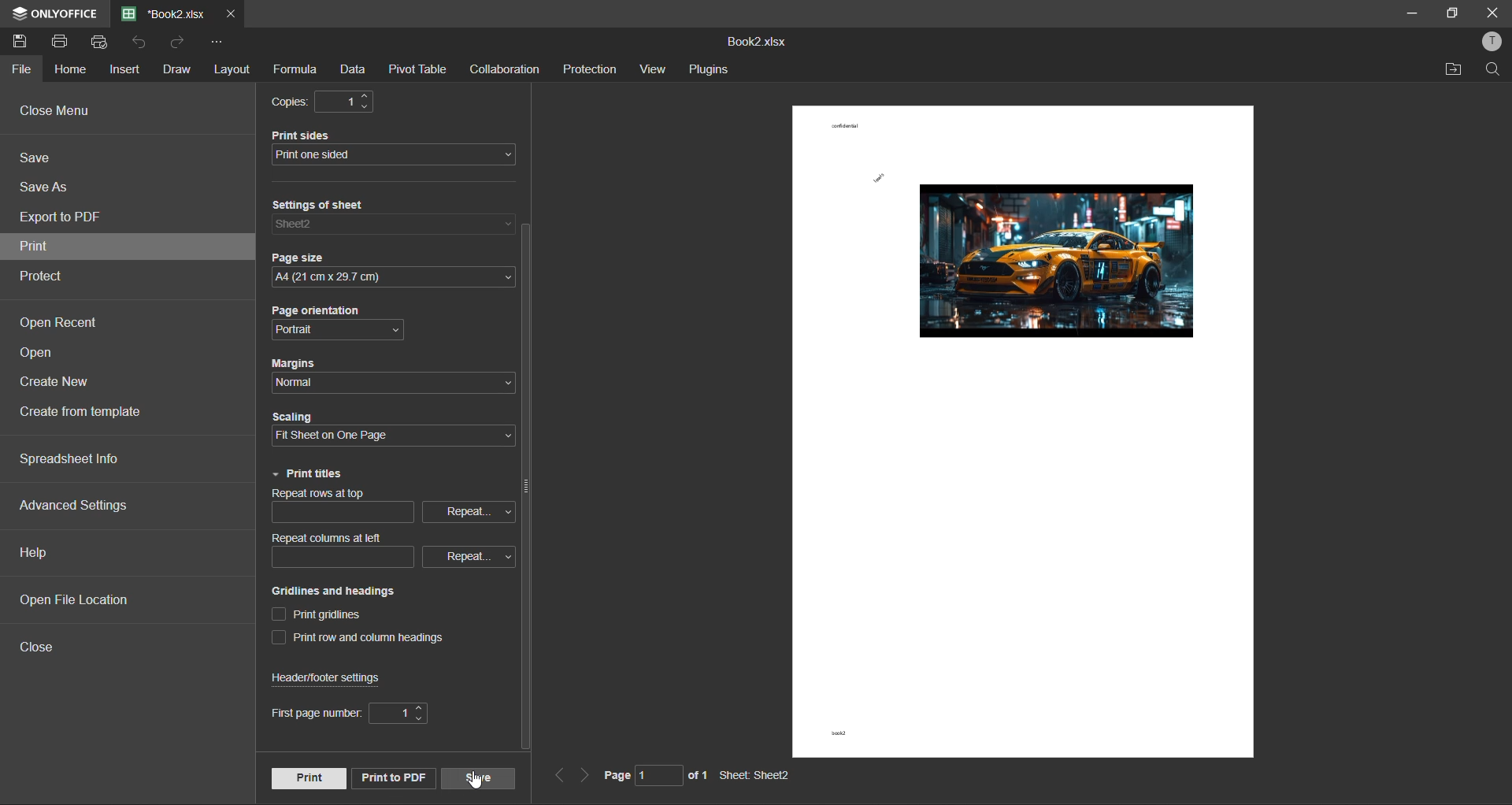 This screenshot has width=1512, height=805. What do you see at coordinates (712, 70) in the screenshot?
I see `plugins` at bounding box center [712, 70].